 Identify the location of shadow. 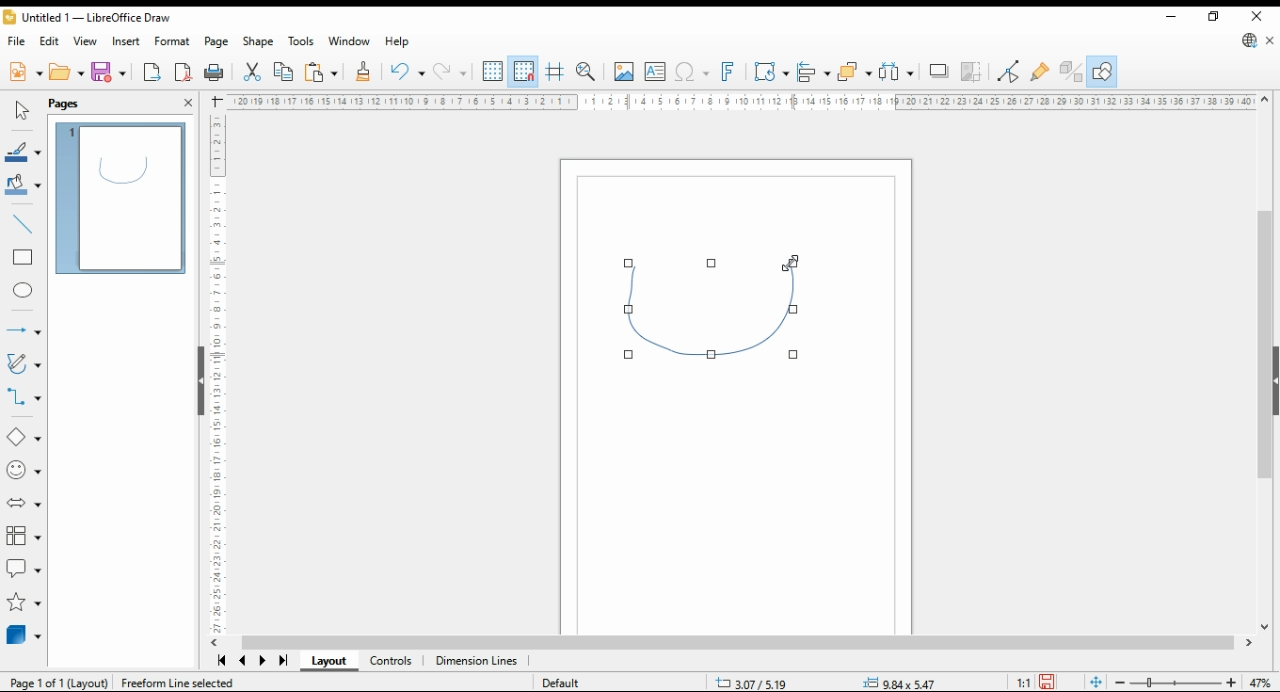
(938, 71).